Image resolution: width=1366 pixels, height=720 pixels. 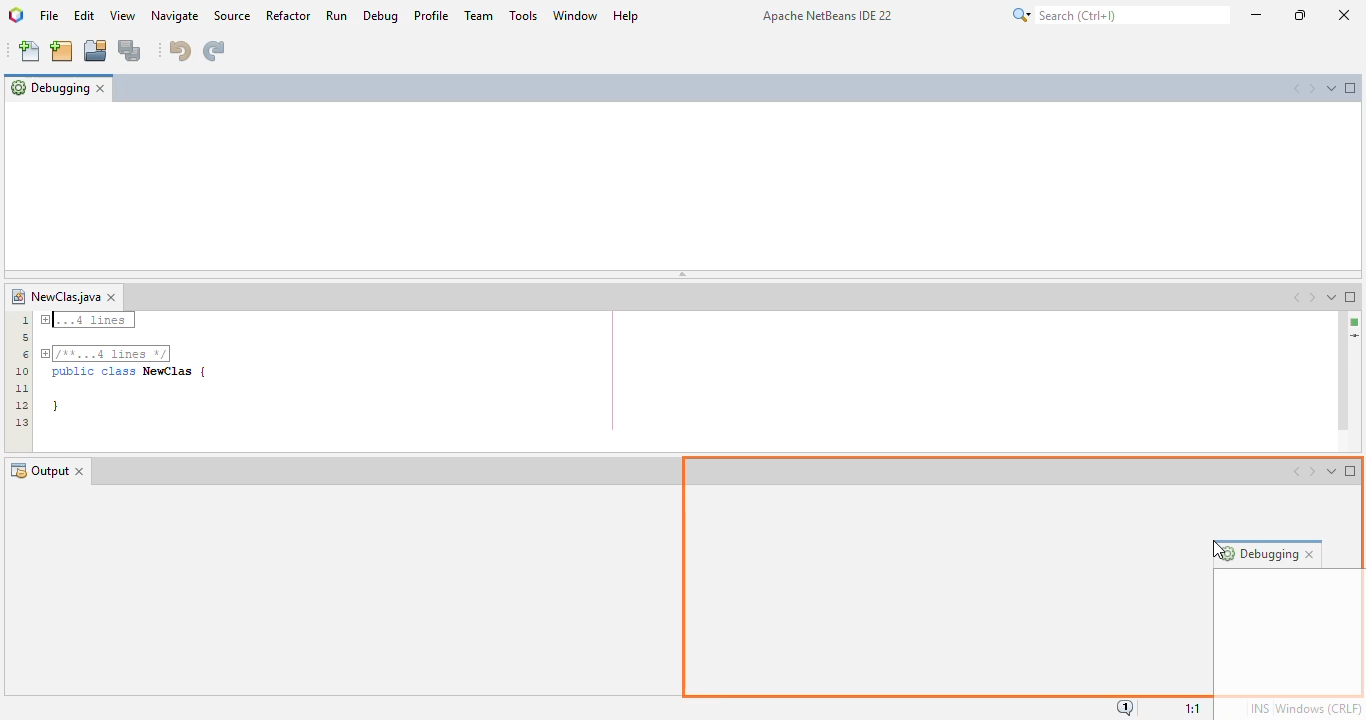 What do you see at coordinates (1310, 89) in the screenshot?
I see `scroll documents right` at bounding box center [1310, 89].